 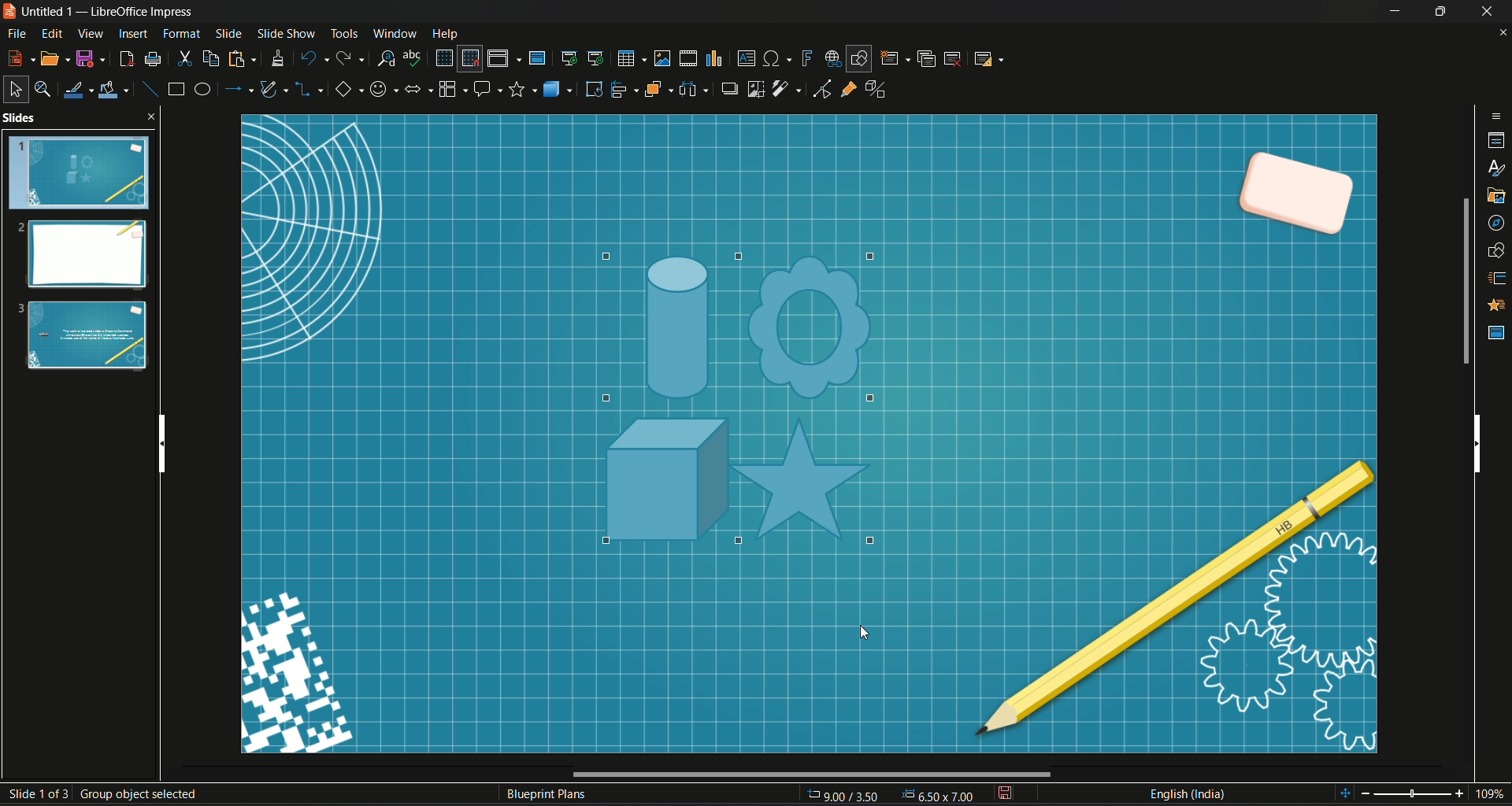 I want to click on sidebar options, so click(x=1497, y=115).